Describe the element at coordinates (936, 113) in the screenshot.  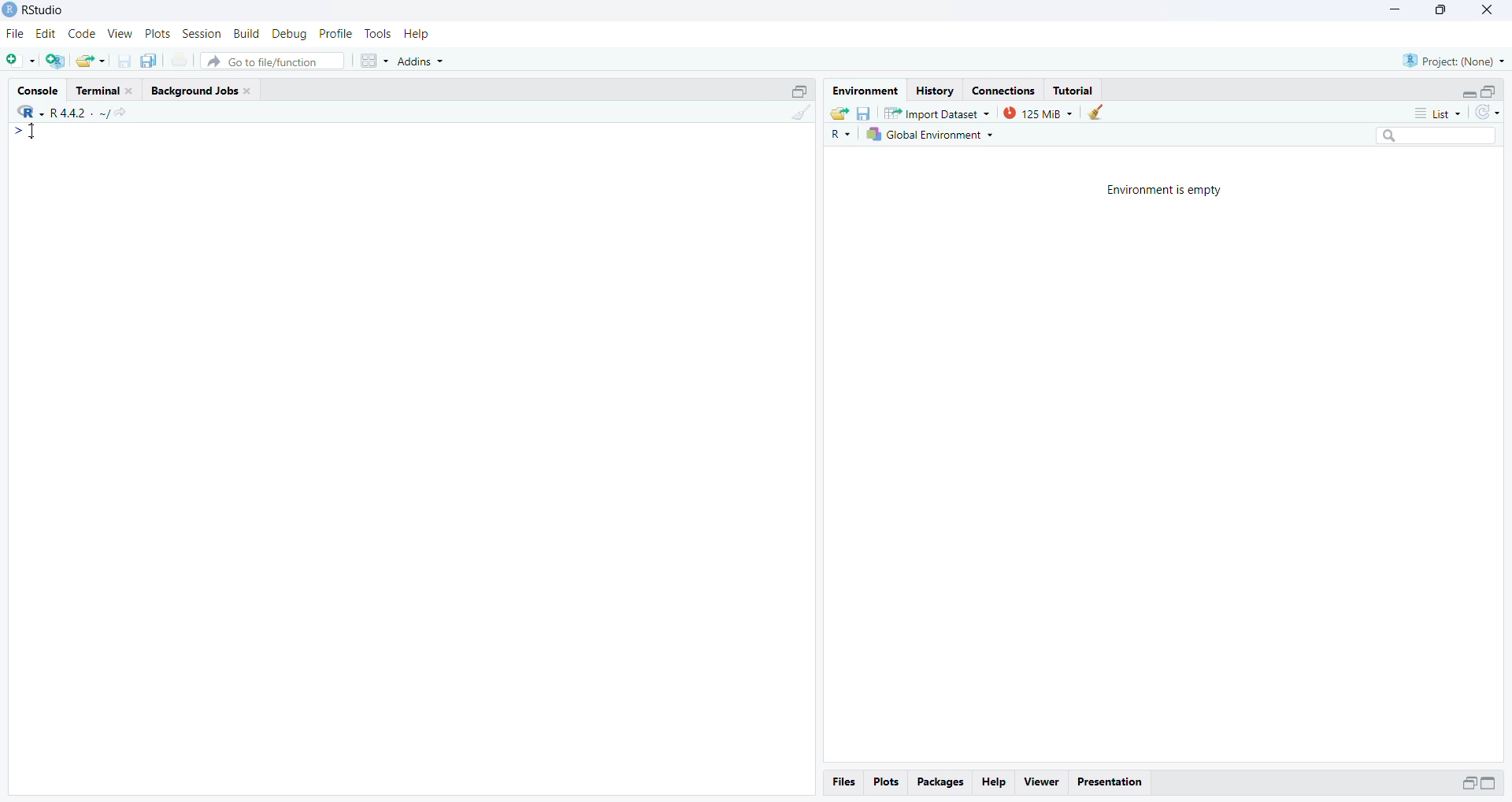
I see `Import Dataset` at that location.